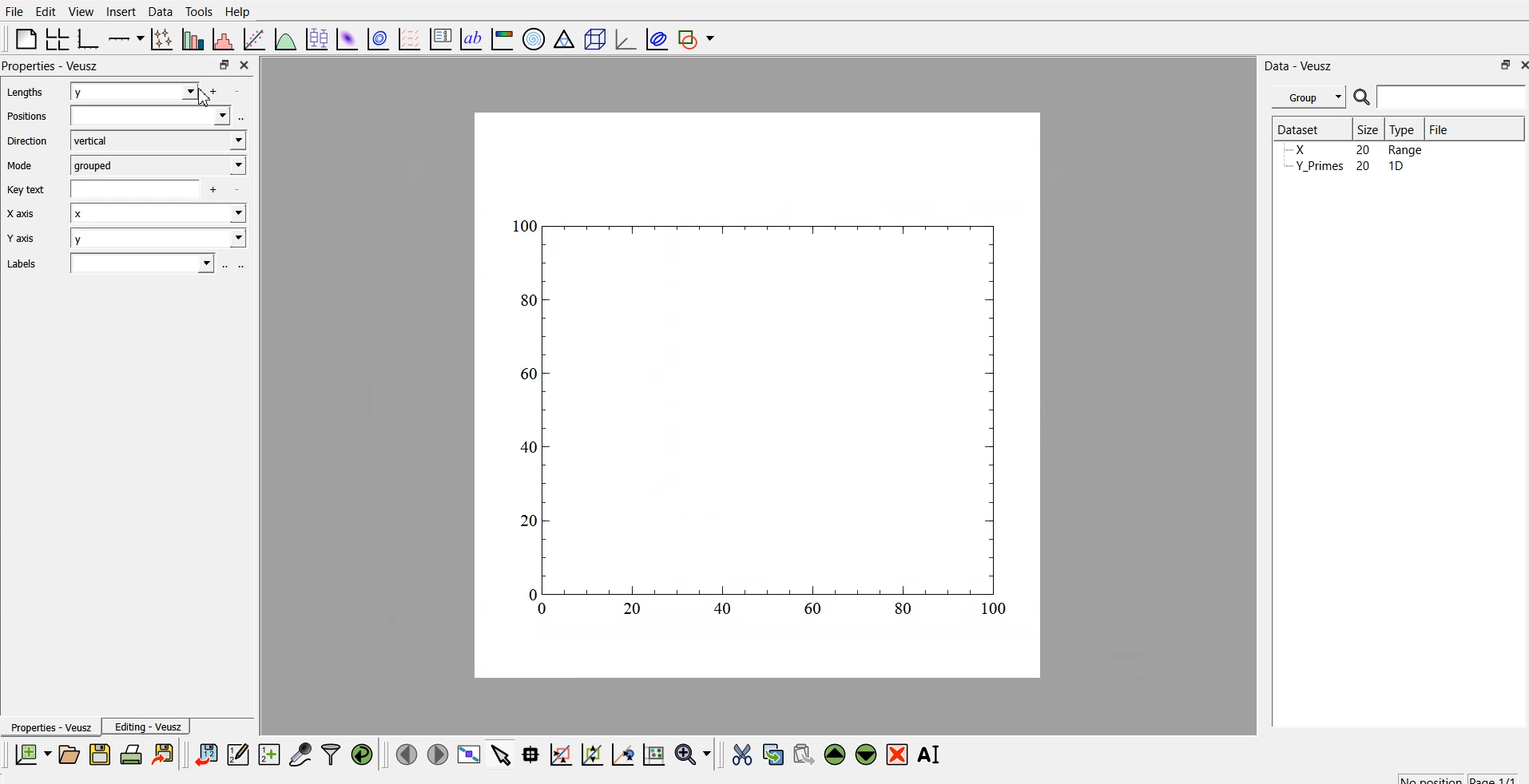 The image size is (1529, 784). Describe the element at coordinates (56, 37) in the screenshot. I see `arrange grid in graph` at that location.